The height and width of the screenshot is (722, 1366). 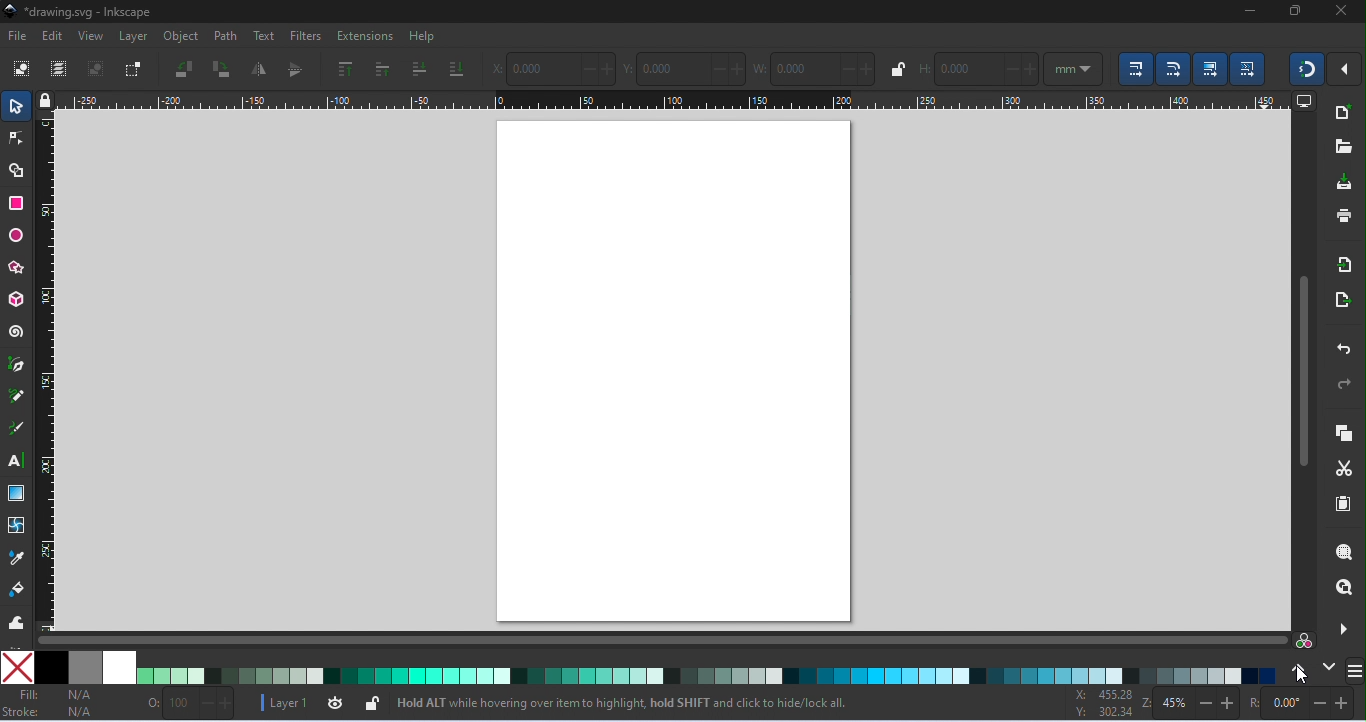 What do you see at coordinates (19, 430) in the screenshot?
I see `calligraphy ` at bounding box center [19, 430].